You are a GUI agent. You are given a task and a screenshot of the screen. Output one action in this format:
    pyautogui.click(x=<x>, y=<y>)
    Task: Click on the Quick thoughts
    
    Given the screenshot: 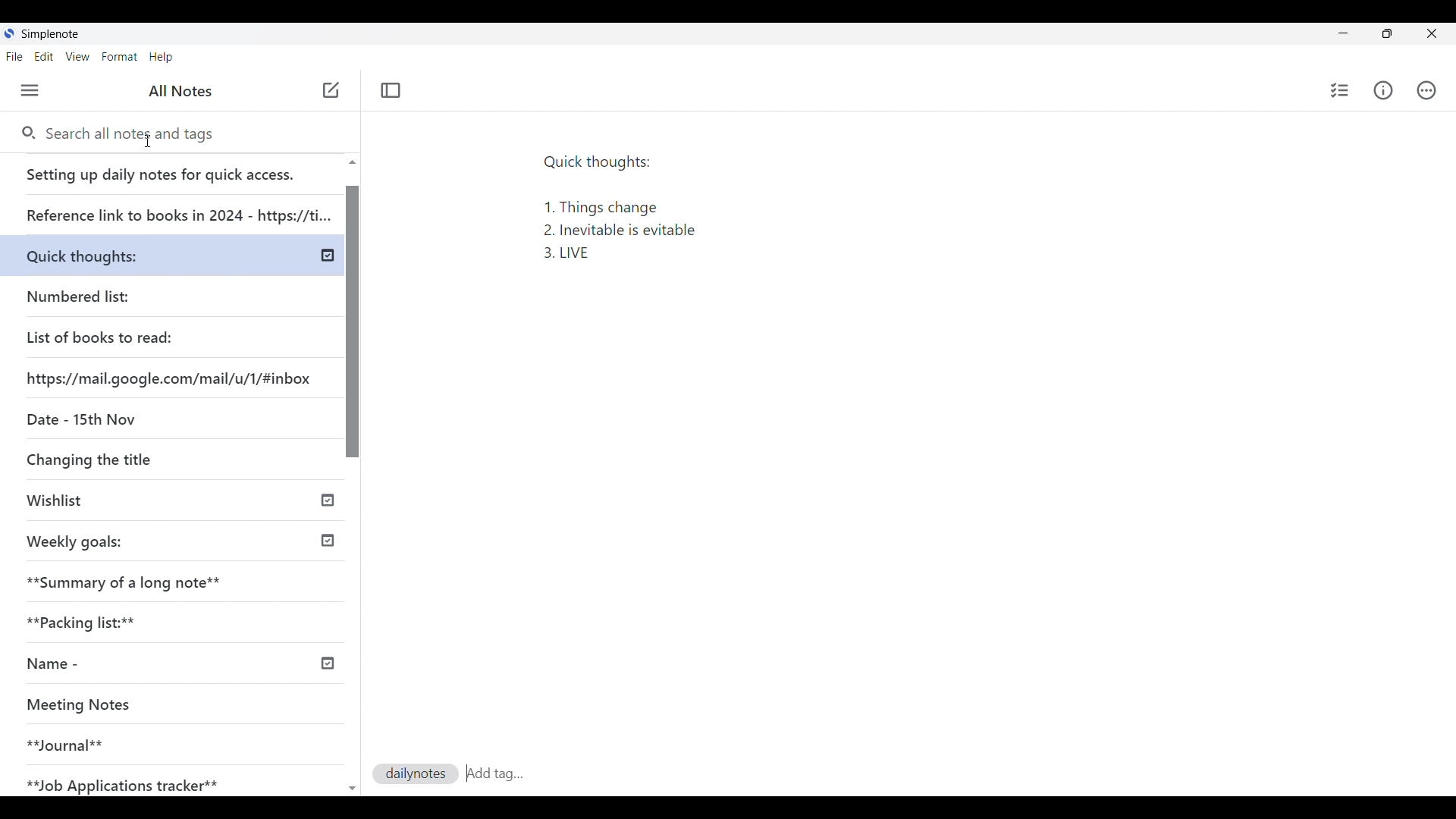 What is the action you would take?
    pyautogui.click(x=118, y=253)
    